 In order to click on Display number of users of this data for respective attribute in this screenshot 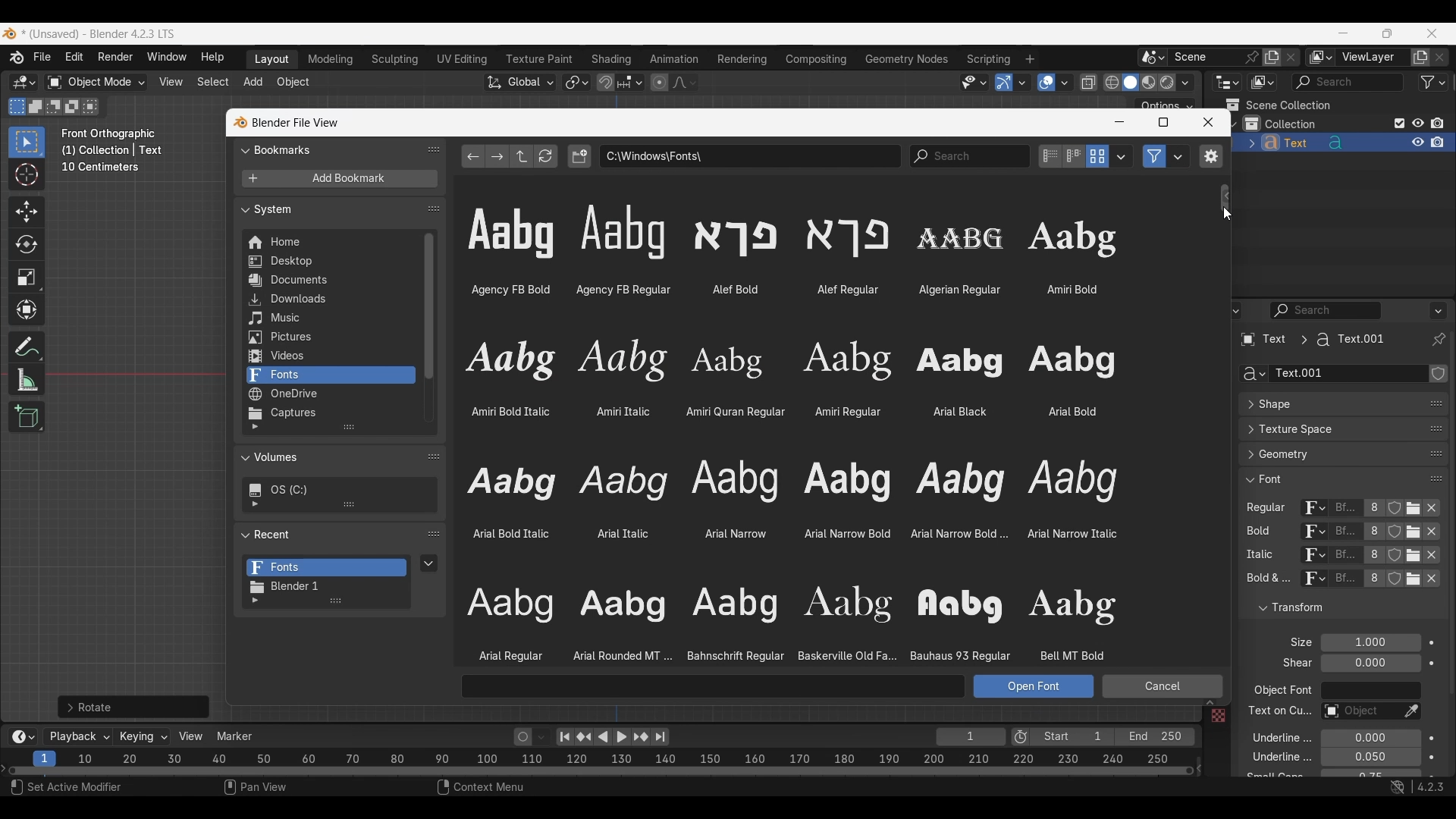, I will do `click(1373, 509)`.